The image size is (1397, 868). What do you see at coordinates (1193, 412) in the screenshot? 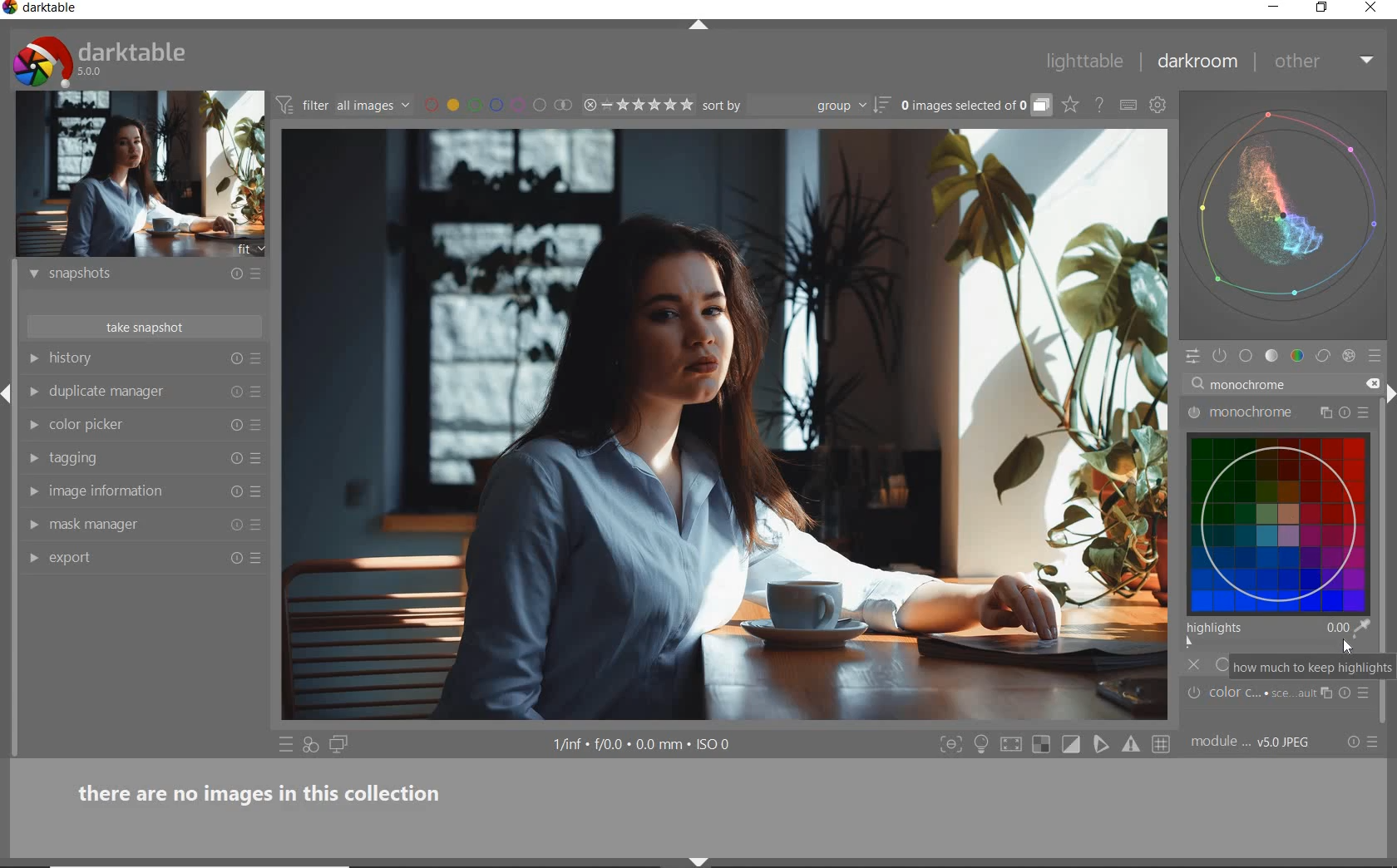
I see `'monochrome' turned on` at bounding box center [1193, 412].